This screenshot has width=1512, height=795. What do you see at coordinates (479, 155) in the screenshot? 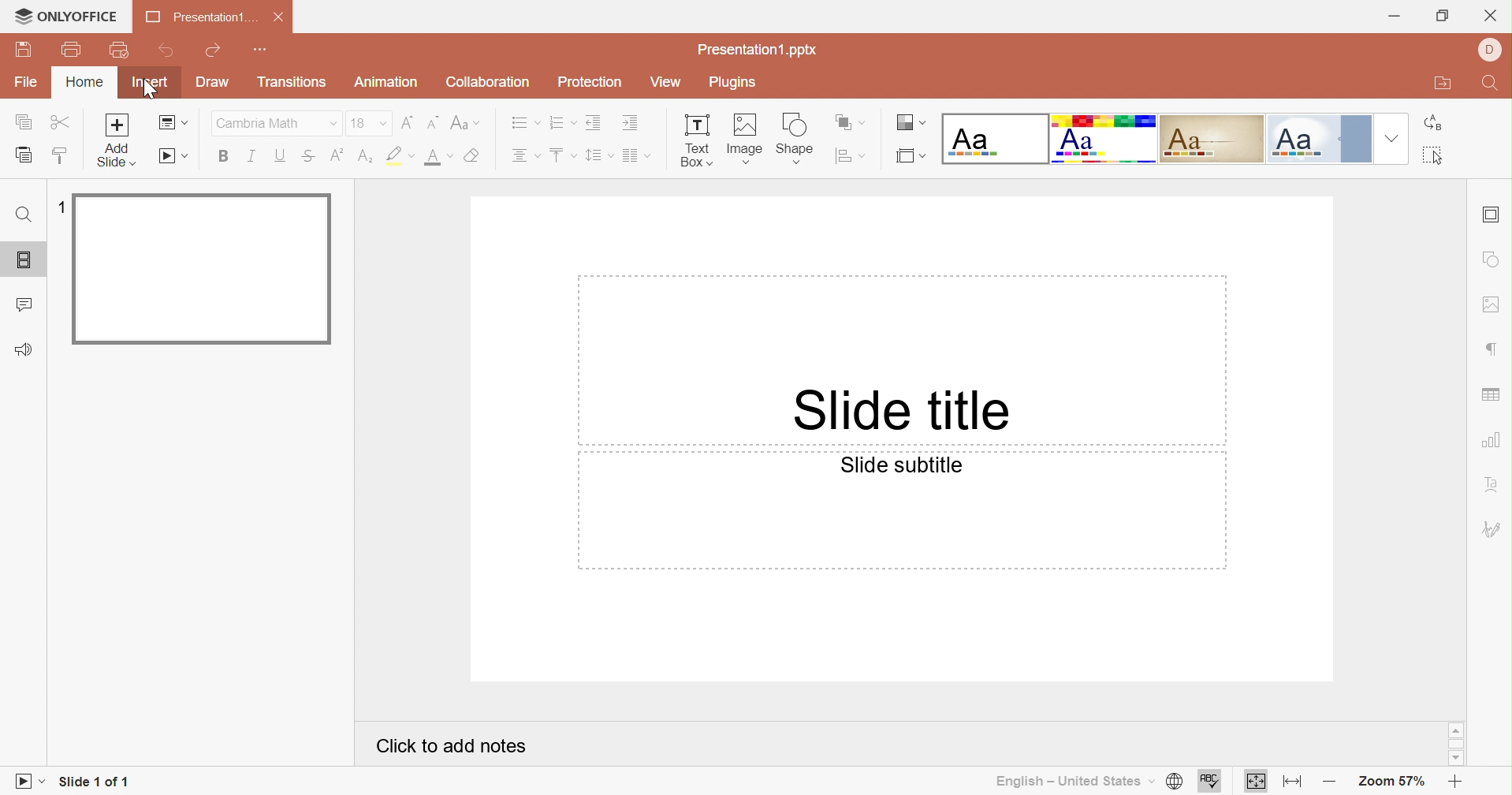
I see `Clear` at bounding box center [479, 155].